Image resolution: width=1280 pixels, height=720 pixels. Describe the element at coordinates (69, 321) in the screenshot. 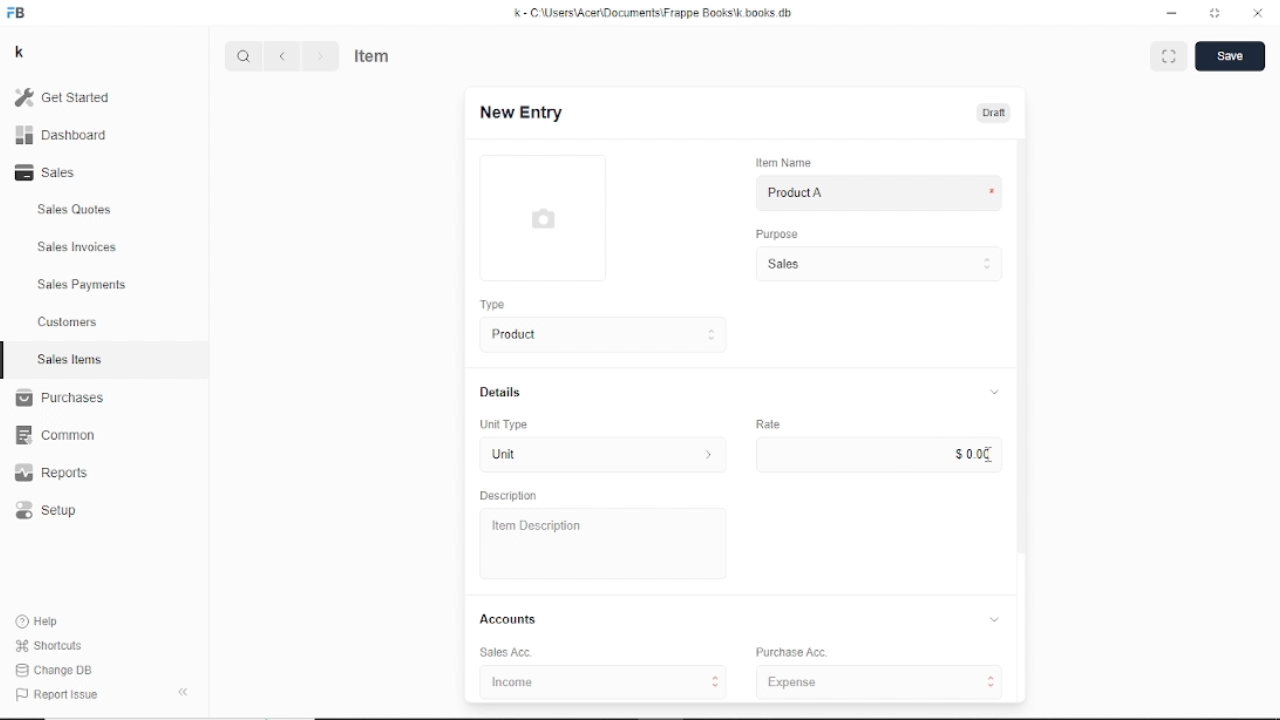

I see `Customers` at that location.